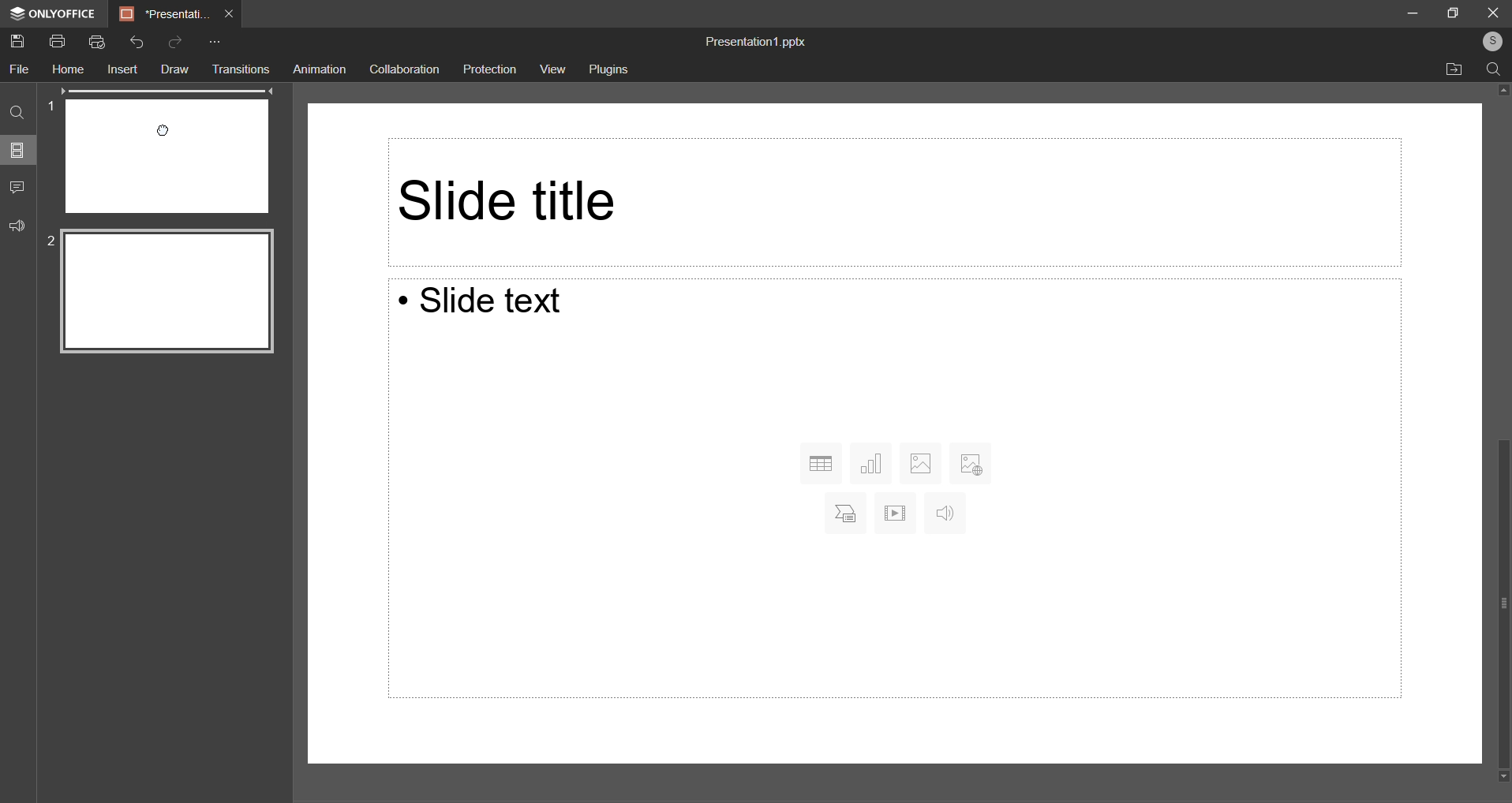 The width and height of the screenshot is (1512, 803). I want to click on Image , so click(920, 461).